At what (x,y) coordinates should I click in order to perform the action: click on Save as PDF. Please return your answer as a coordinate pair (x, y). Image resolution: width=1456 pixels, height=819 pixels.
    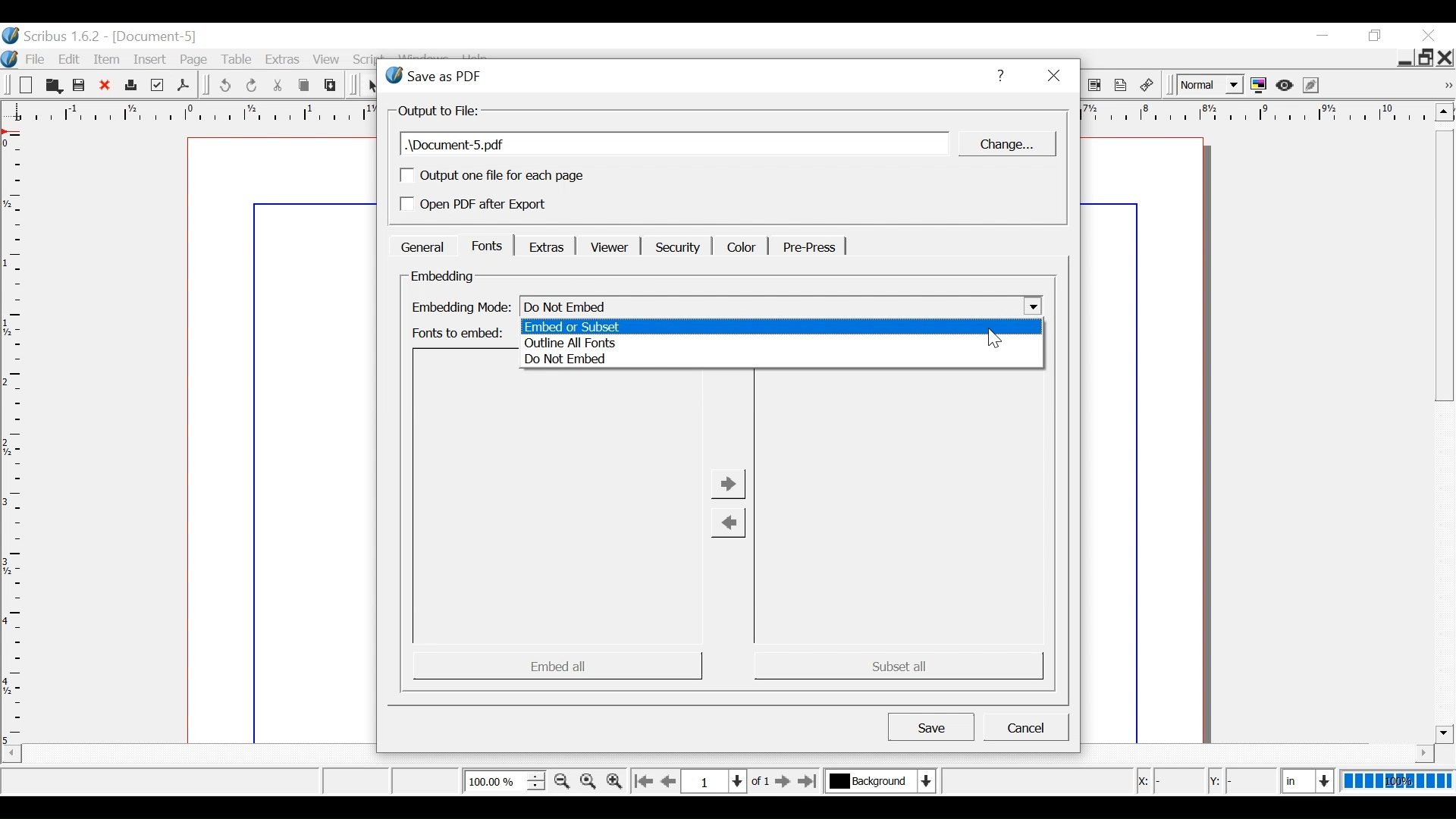
    Looking at the image, I should click on (670, 75).